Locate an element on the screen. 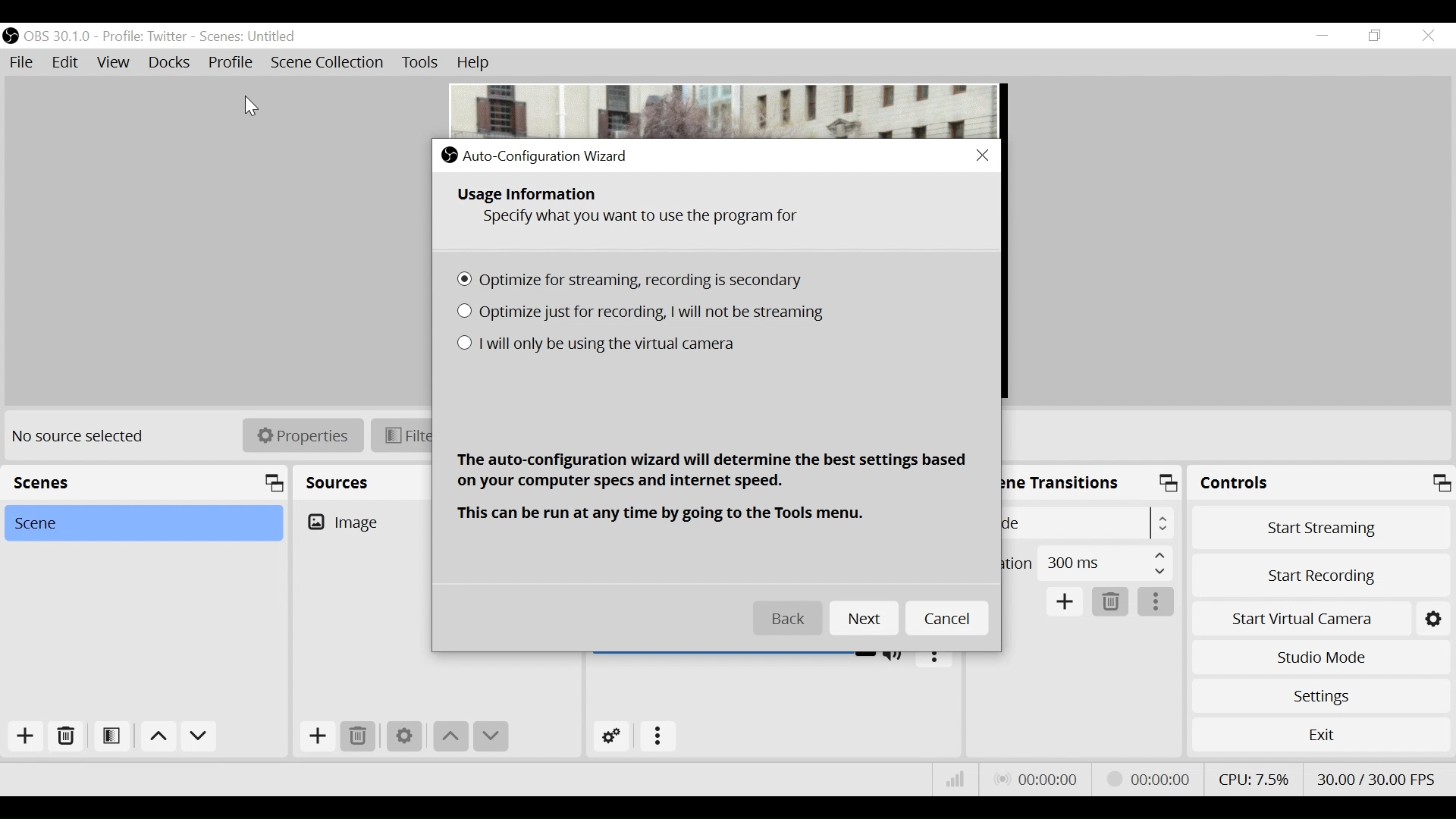 This screenshot has width=1456, height=819. Add is located at coordinates (316, 736).